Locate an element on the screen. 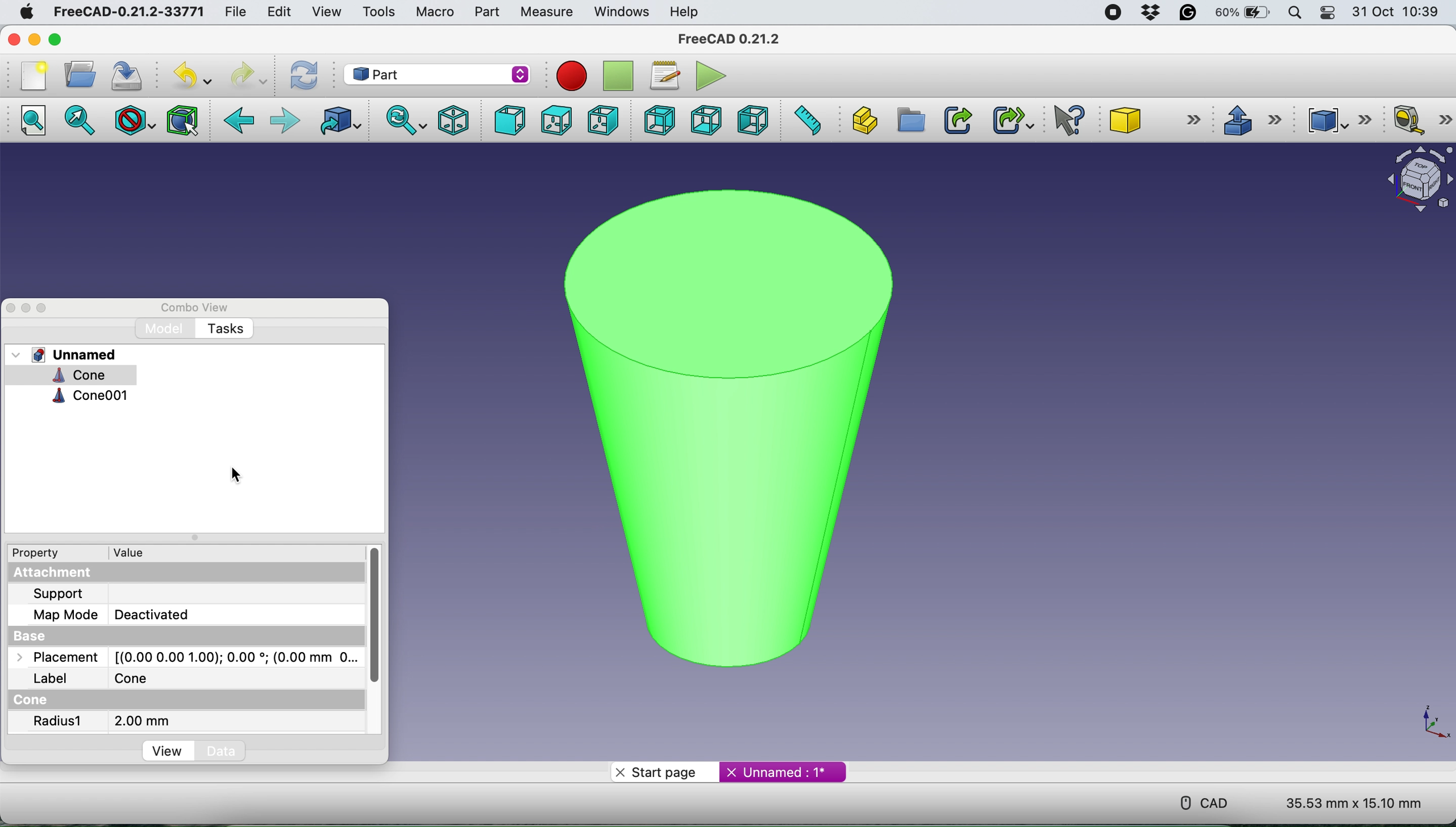  create part is located at coordinates (864, 119).